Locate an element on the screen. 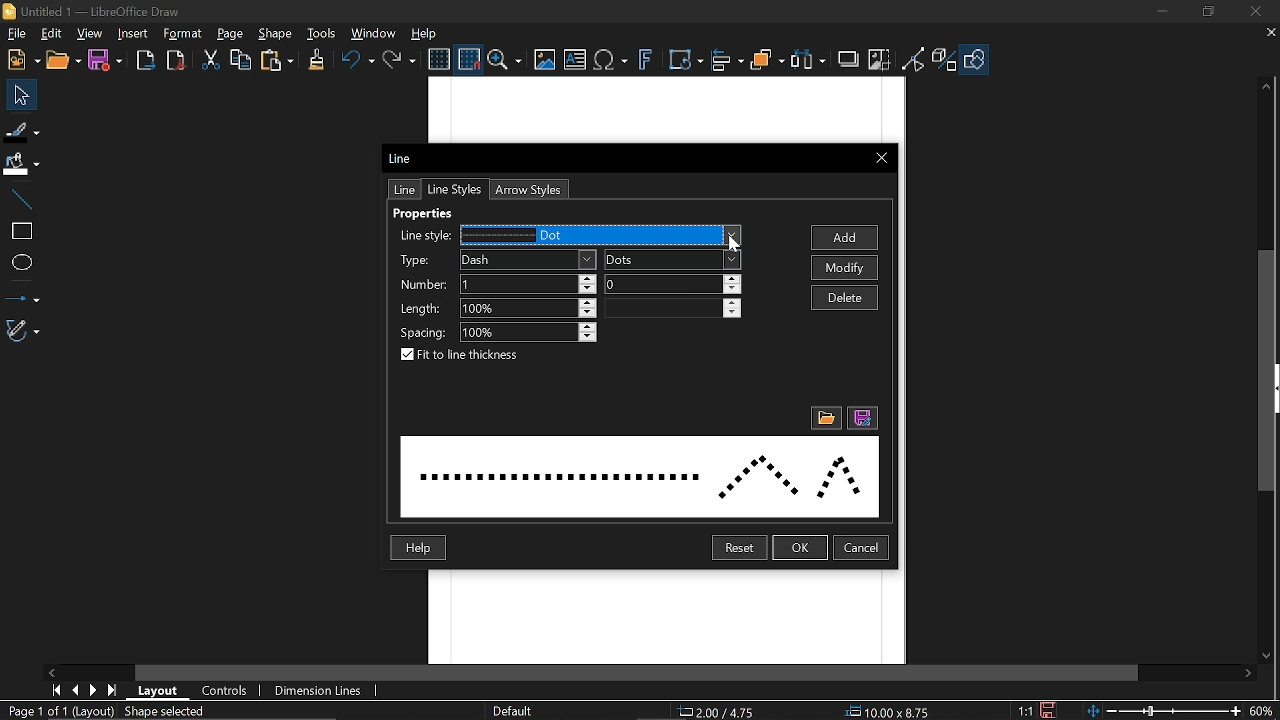 The image size is (1280, 720). First page is located at coordinates (57, 690).